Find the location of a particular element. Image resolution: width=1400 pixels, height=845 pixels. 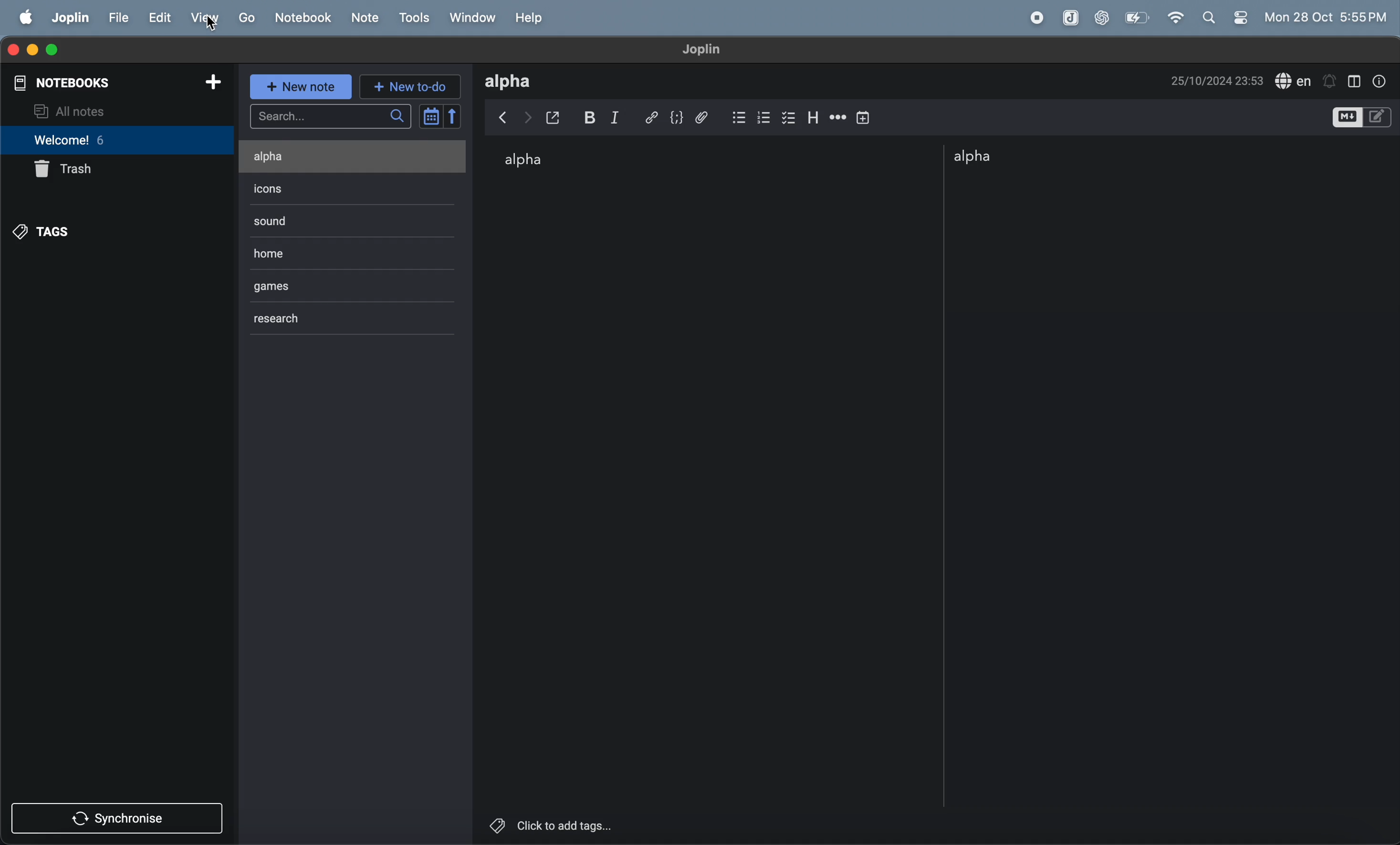

attach file is located at coordinates (707, 116).